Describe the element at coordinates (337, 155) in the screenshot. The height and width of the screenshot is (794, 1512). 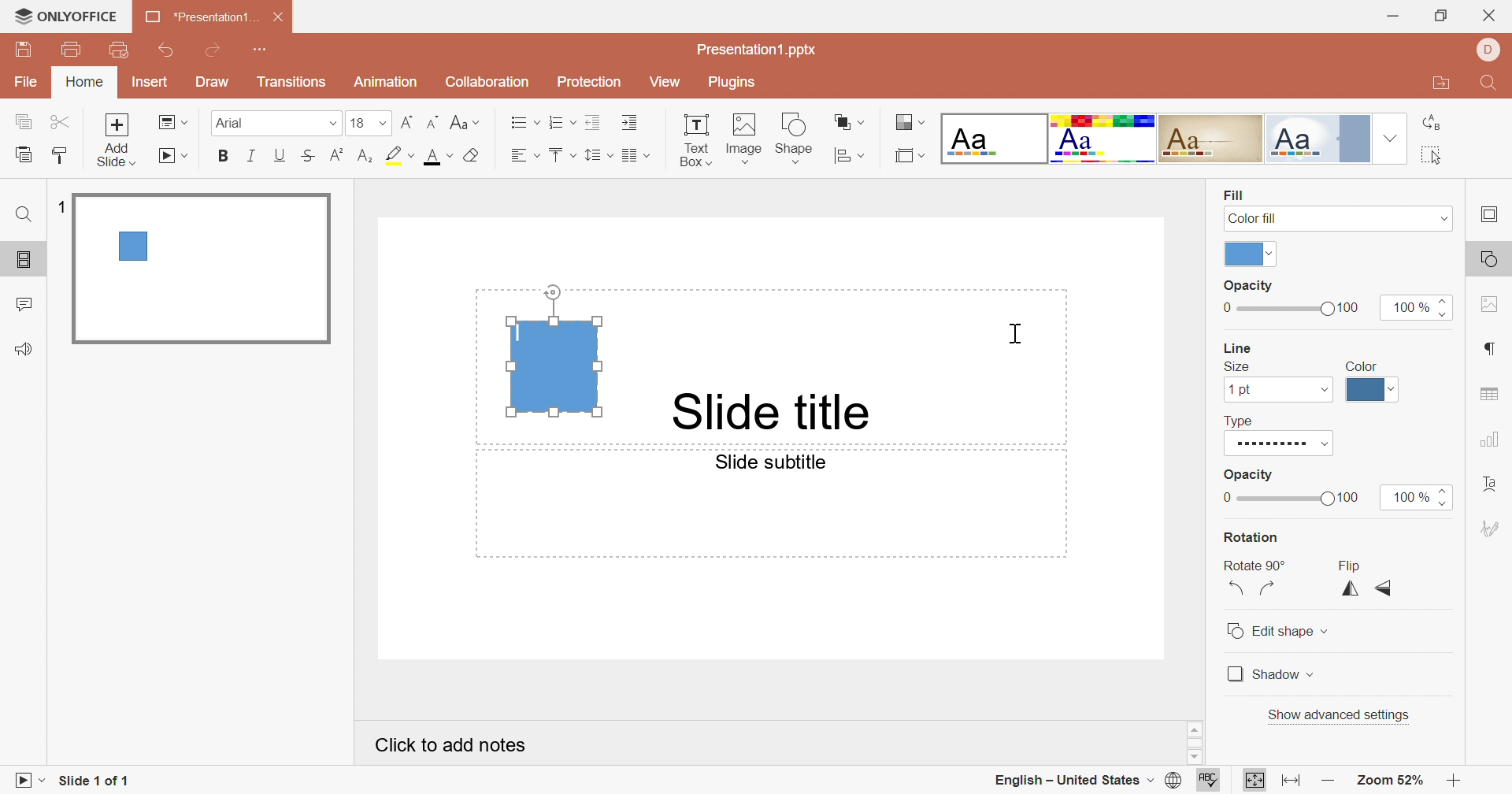
I see `Superscript` at that location.